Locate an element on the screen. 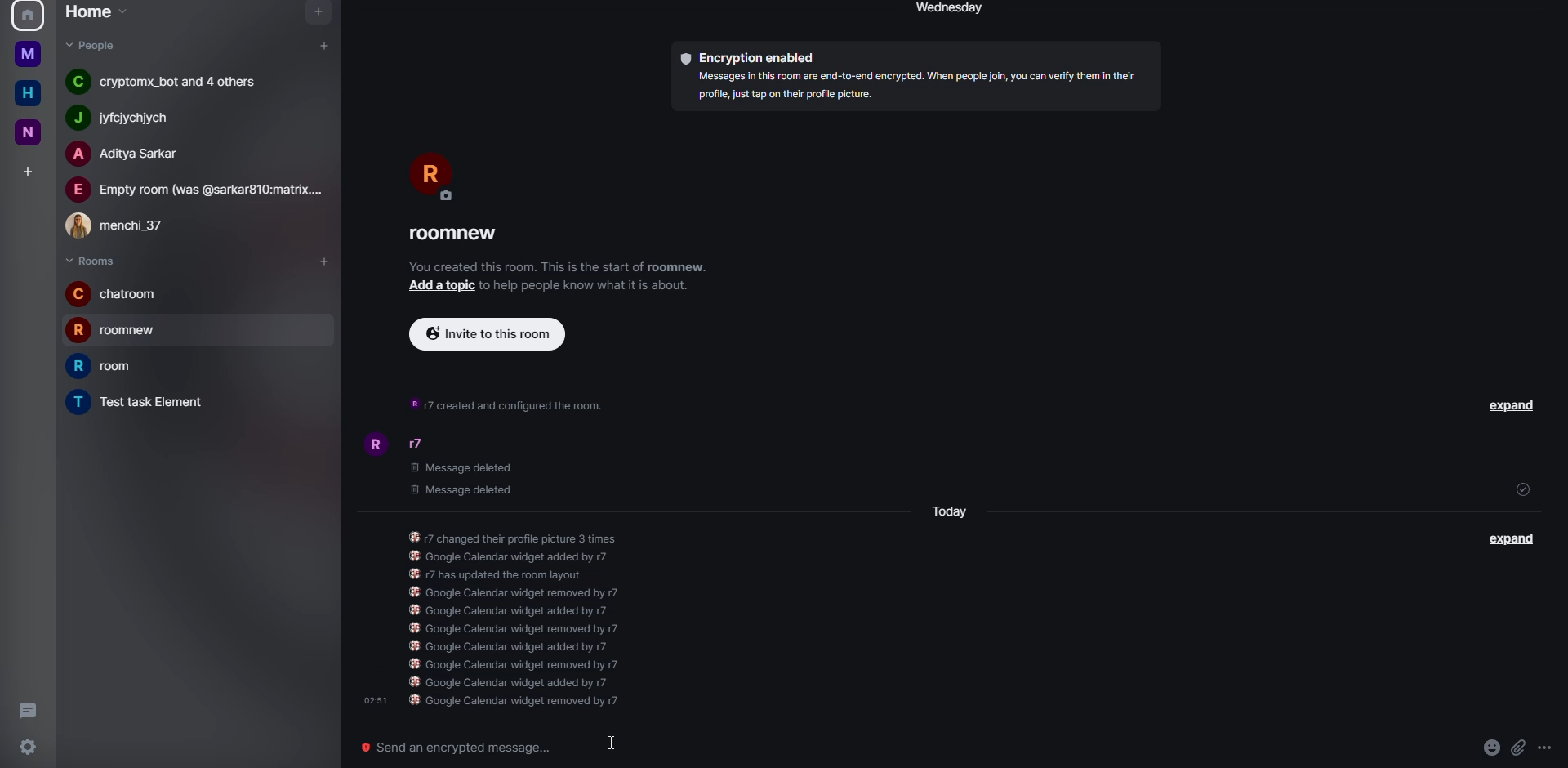 The width and height of the screenshot is (1568, 768). sent is located at coordinates (1522, 490).